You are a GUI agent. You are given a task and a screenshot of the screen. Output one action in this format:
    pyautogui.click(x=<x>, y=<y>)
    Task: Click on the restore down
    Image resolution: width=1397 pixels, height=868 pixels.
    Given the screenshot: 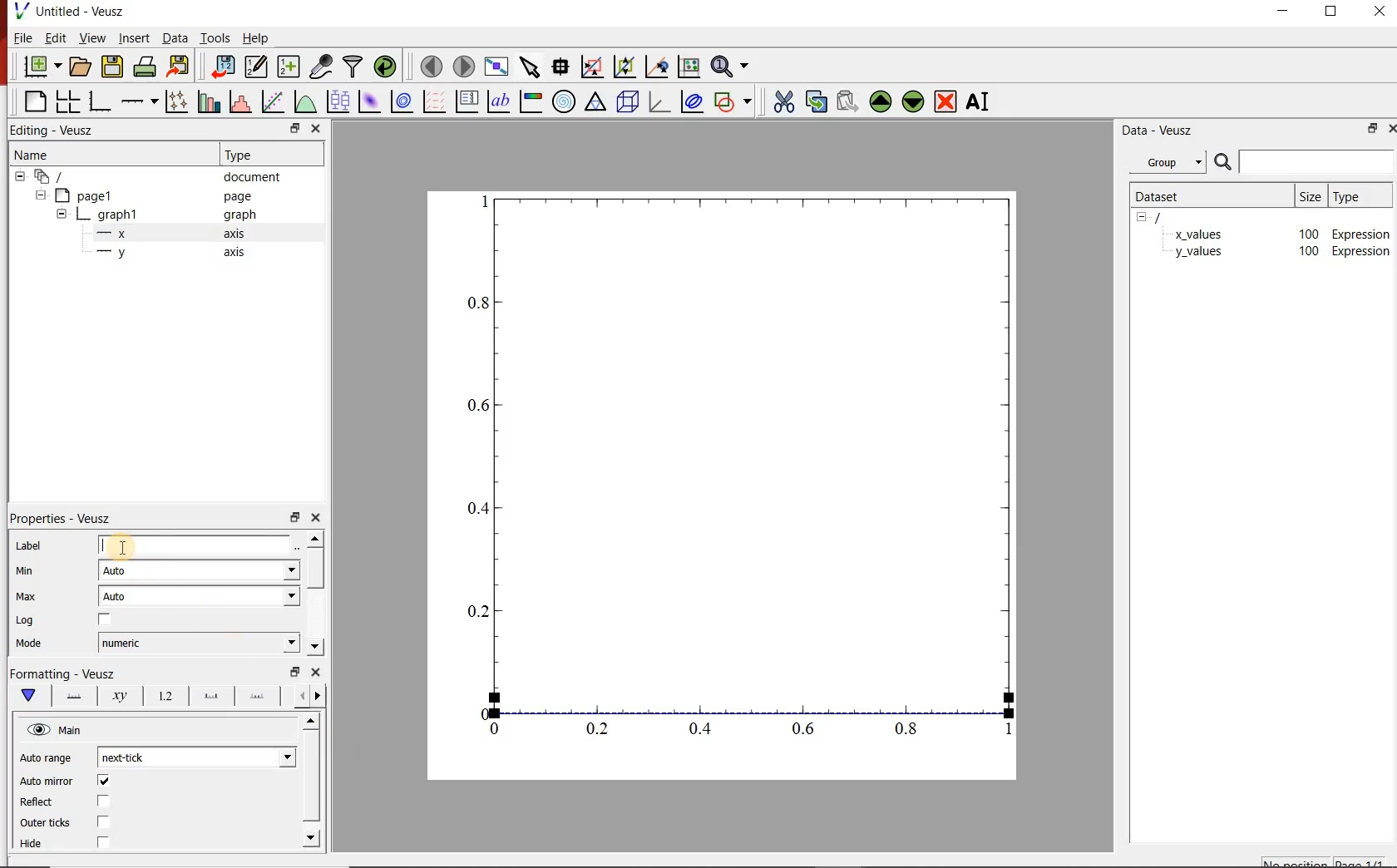 What is the action you would take?
    pyautogui.click(x=1330, y=12)
    